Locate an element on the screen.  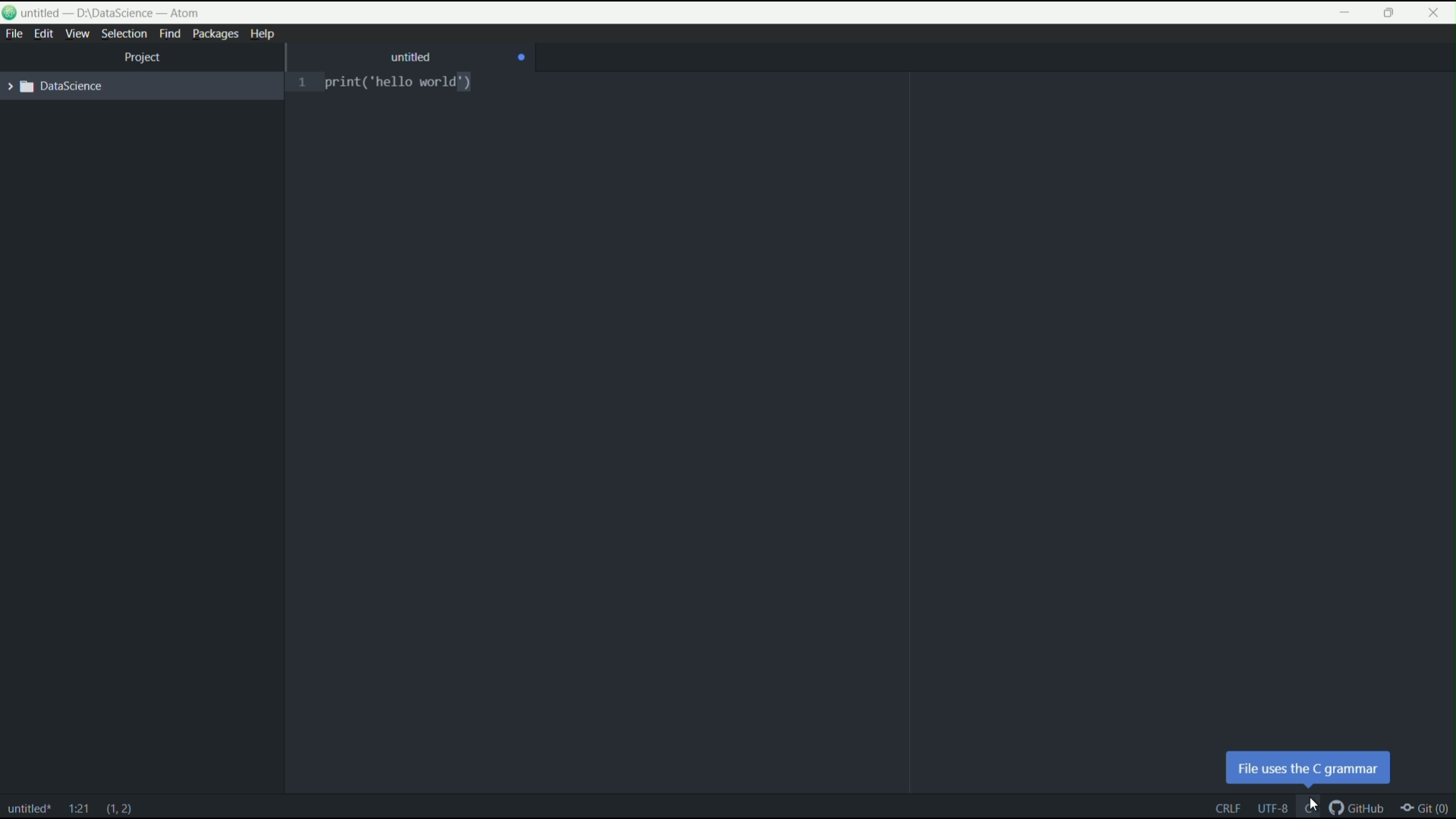
find menu is located at coordinates (171, 34).